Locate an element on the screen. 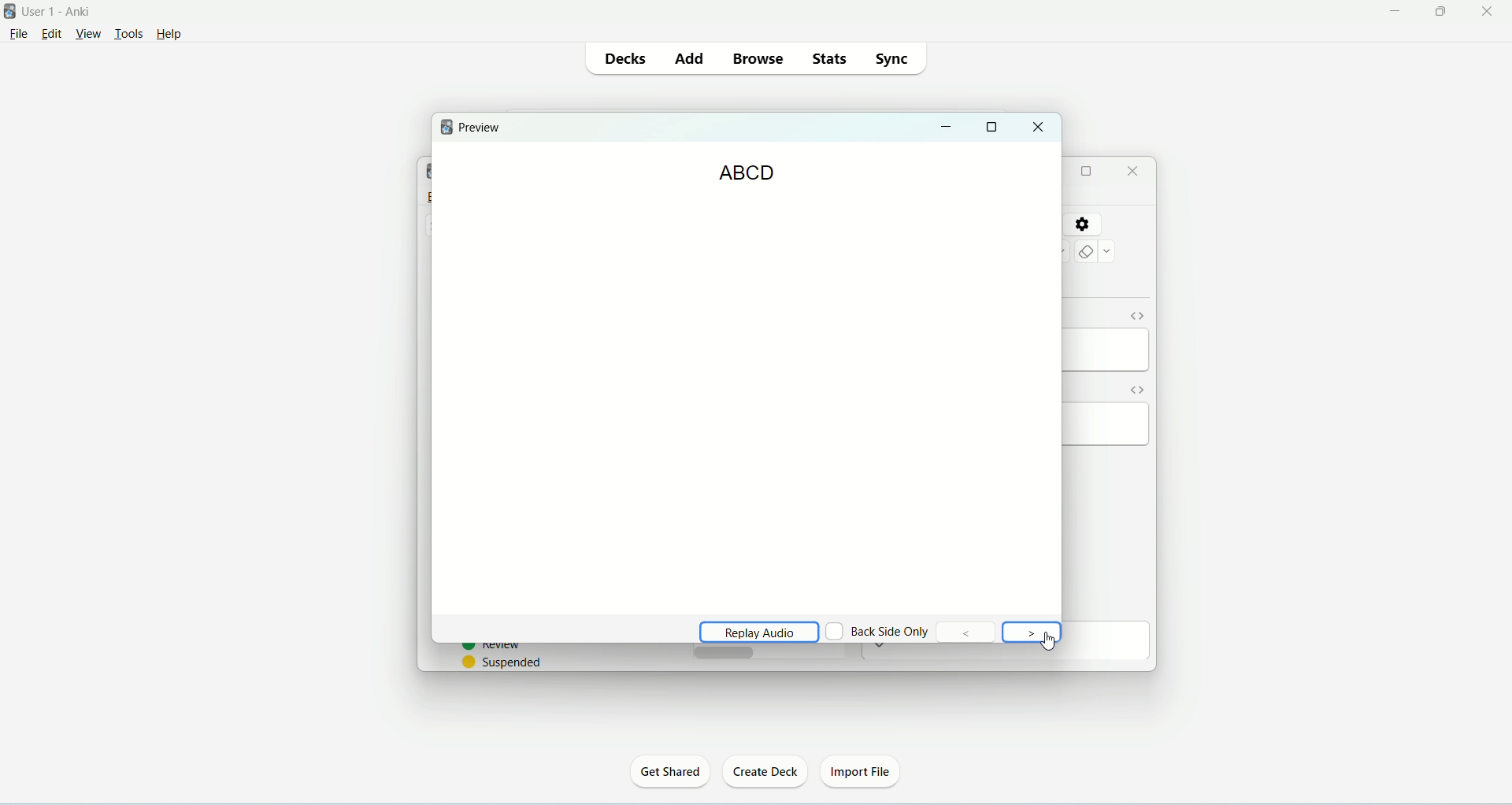 The height and width of the screenshot is (805, 1512). file is located at coordinates (18, 37).